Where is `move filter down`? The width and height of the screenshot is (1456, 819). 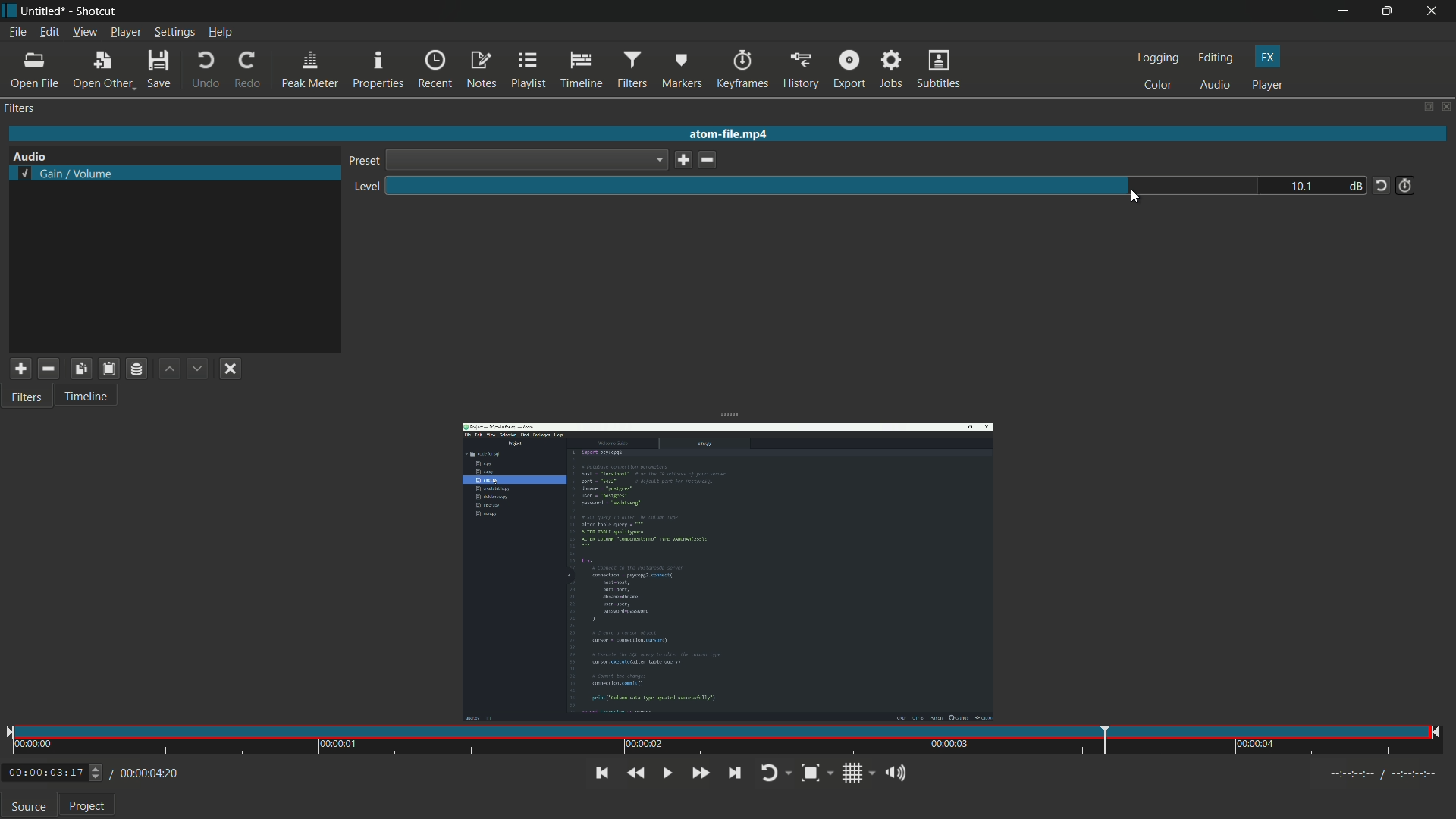
move filter down is located at coordinates (199, 369).